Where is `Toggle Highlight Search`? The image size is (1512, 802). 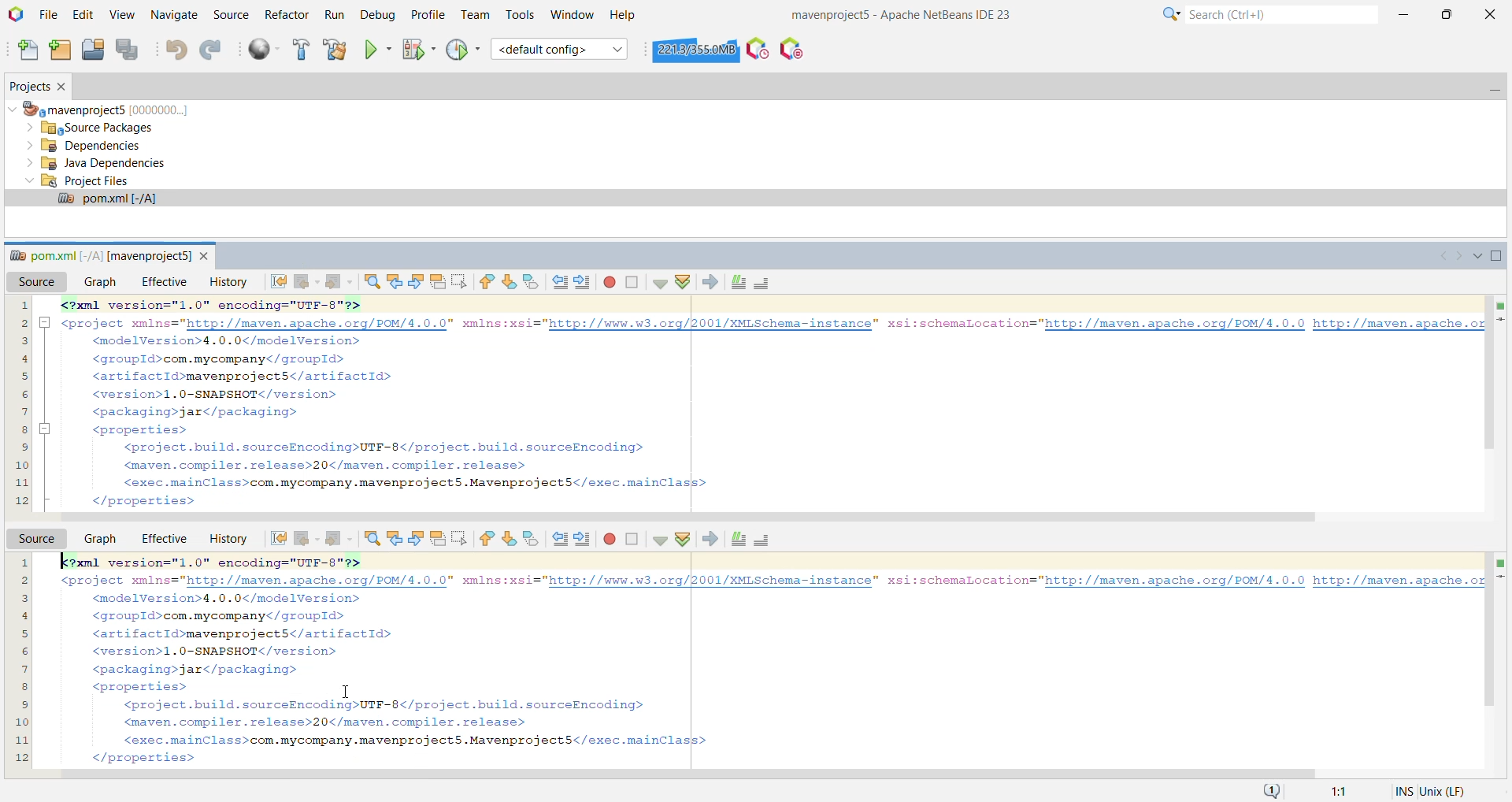 Toggle Highlight Search is located at coordinates (439, 282).